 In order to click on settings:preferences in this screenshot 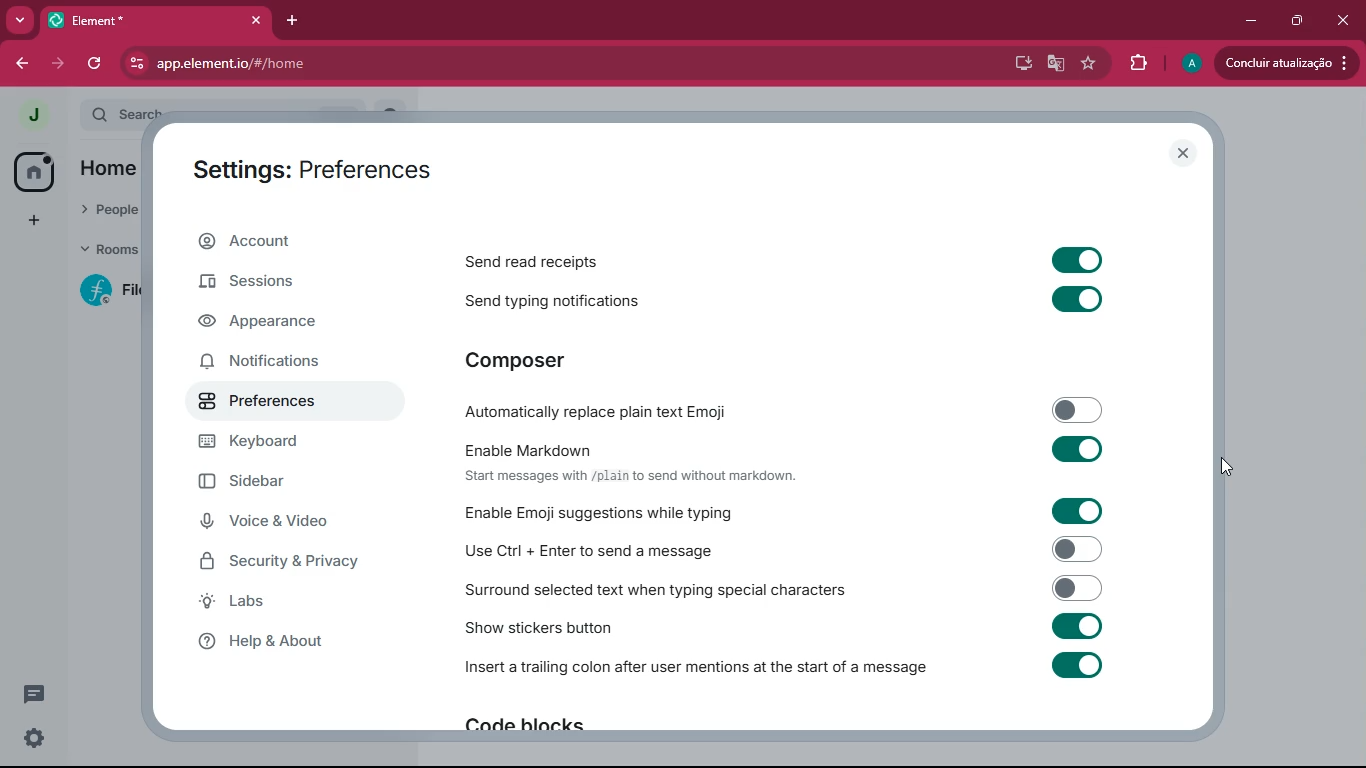, I will do `click(323, 165)`.